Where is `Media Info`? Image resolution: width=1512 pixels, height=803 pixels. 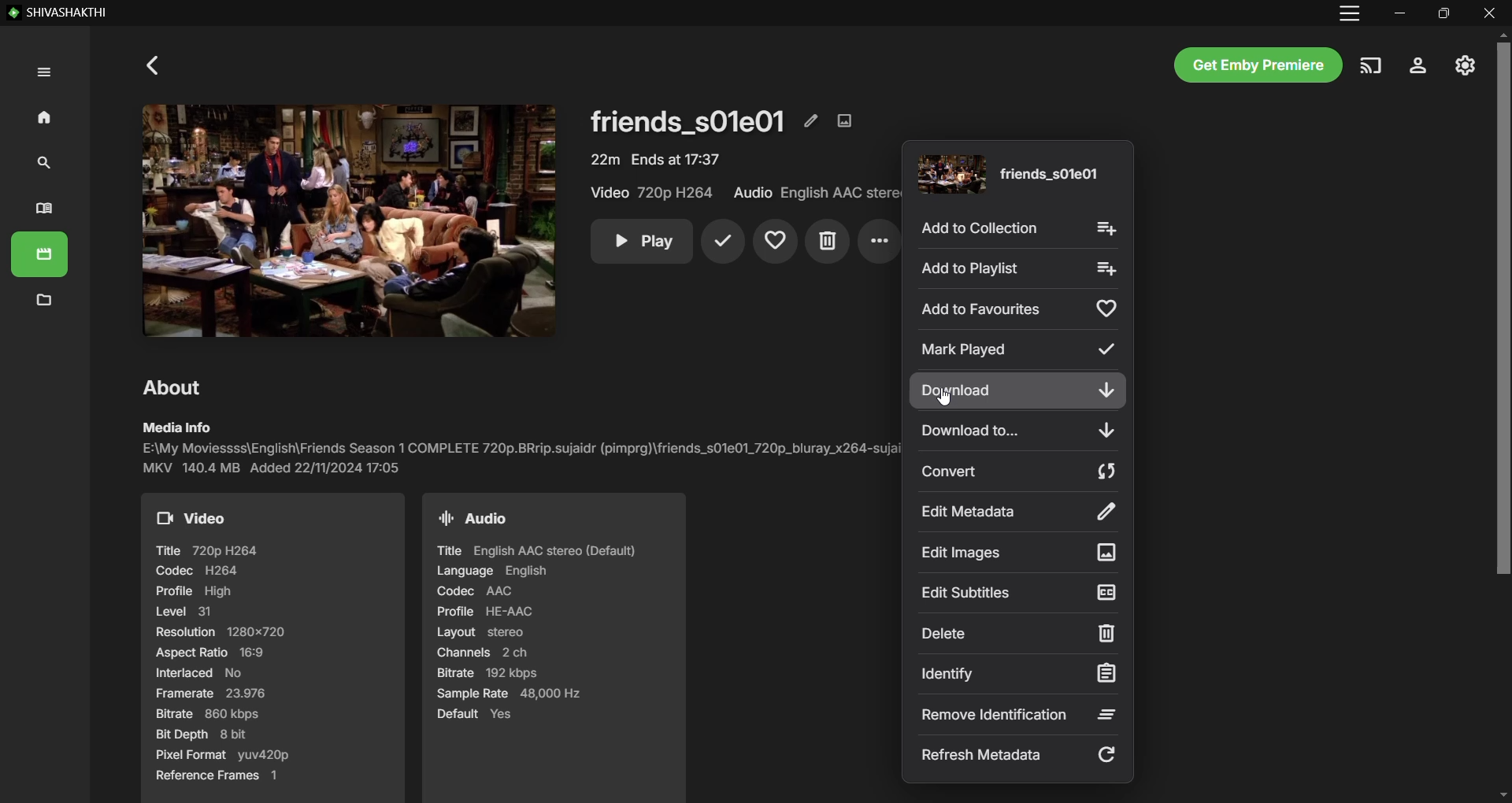 Media Info is located at coordinates (517, 448).